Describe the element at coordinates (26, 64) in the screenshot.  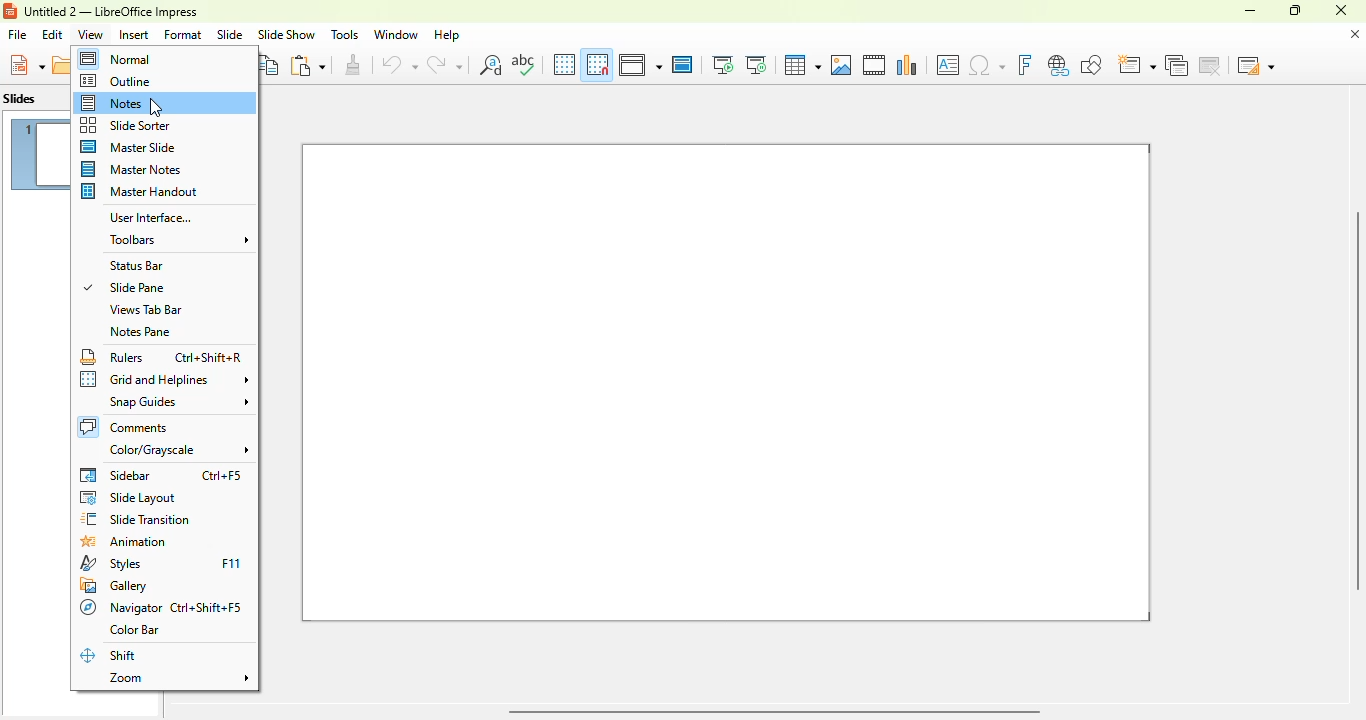
I see `new` at that location.